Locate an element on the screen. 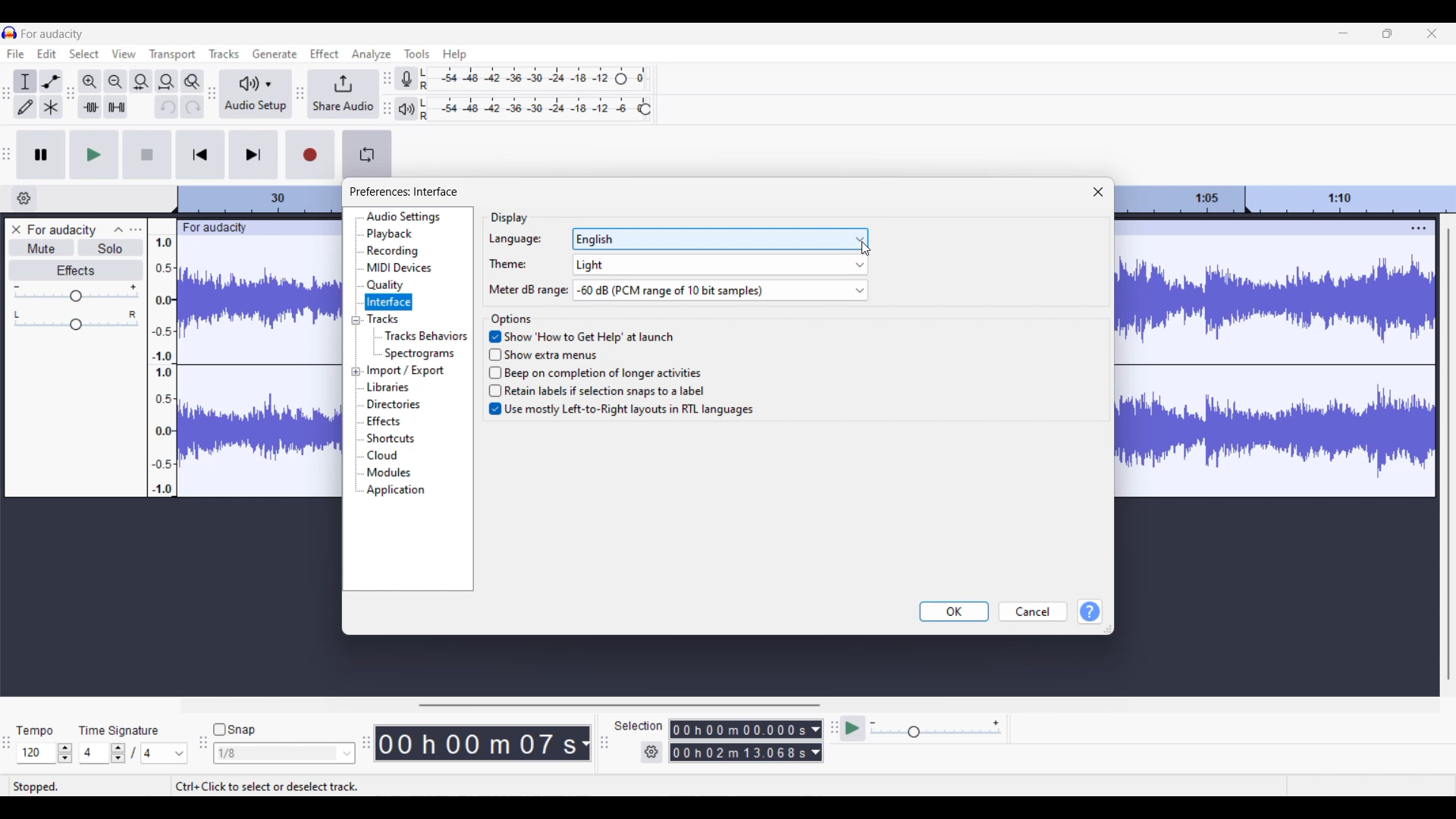  Audio setup is located at coordinates (256, 93).